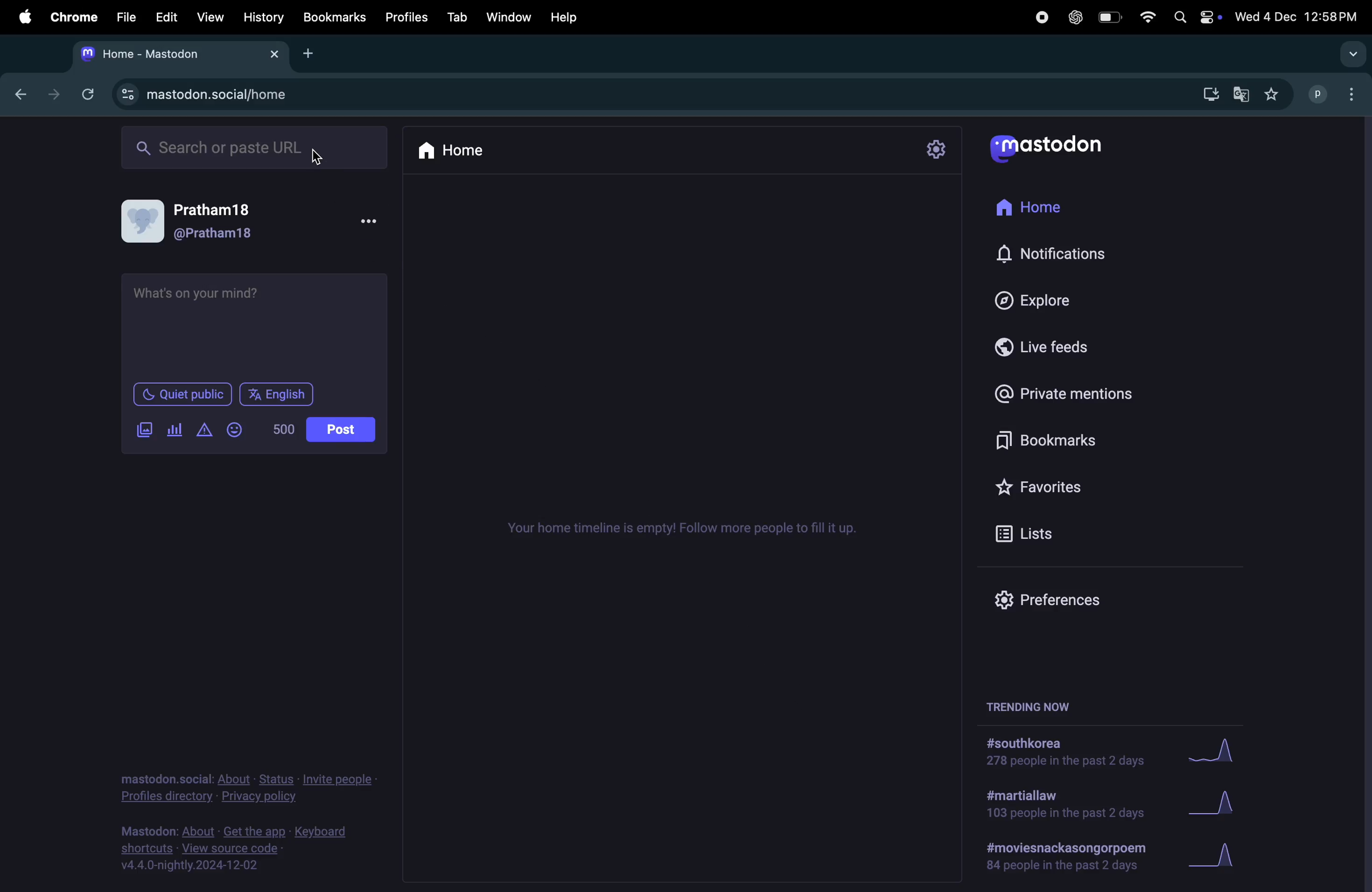 The height and width of the screenshot is (892, 1372). What do you see at coordinates (689, 527) in the screenshot?
I see `time line` at bounding box center [689, 527].